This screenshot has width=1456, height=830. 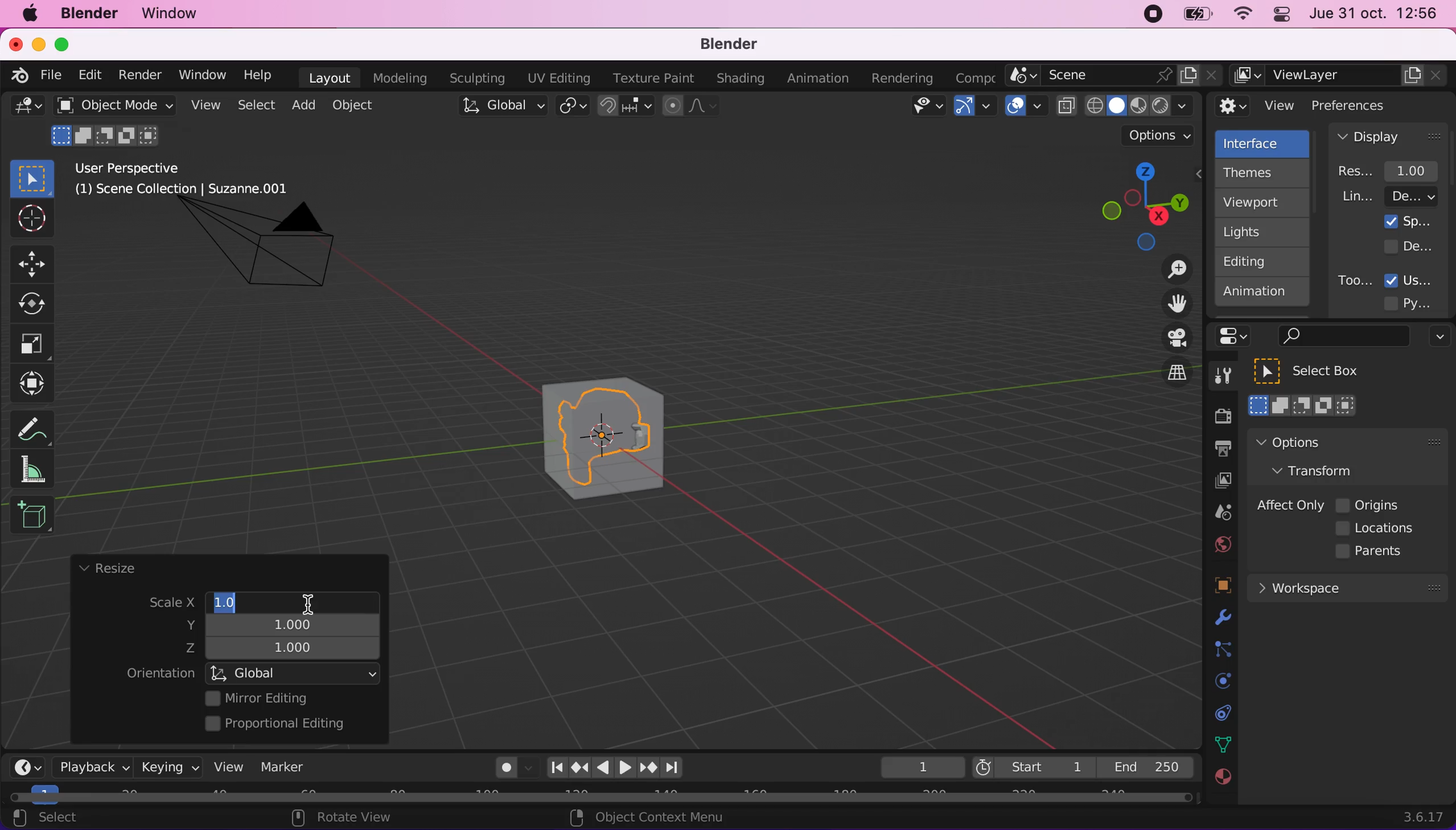 What do you see at coordinates (1418, 279) in the screenshot?
I see `user tooltips` at bounding box center [1418, 279].